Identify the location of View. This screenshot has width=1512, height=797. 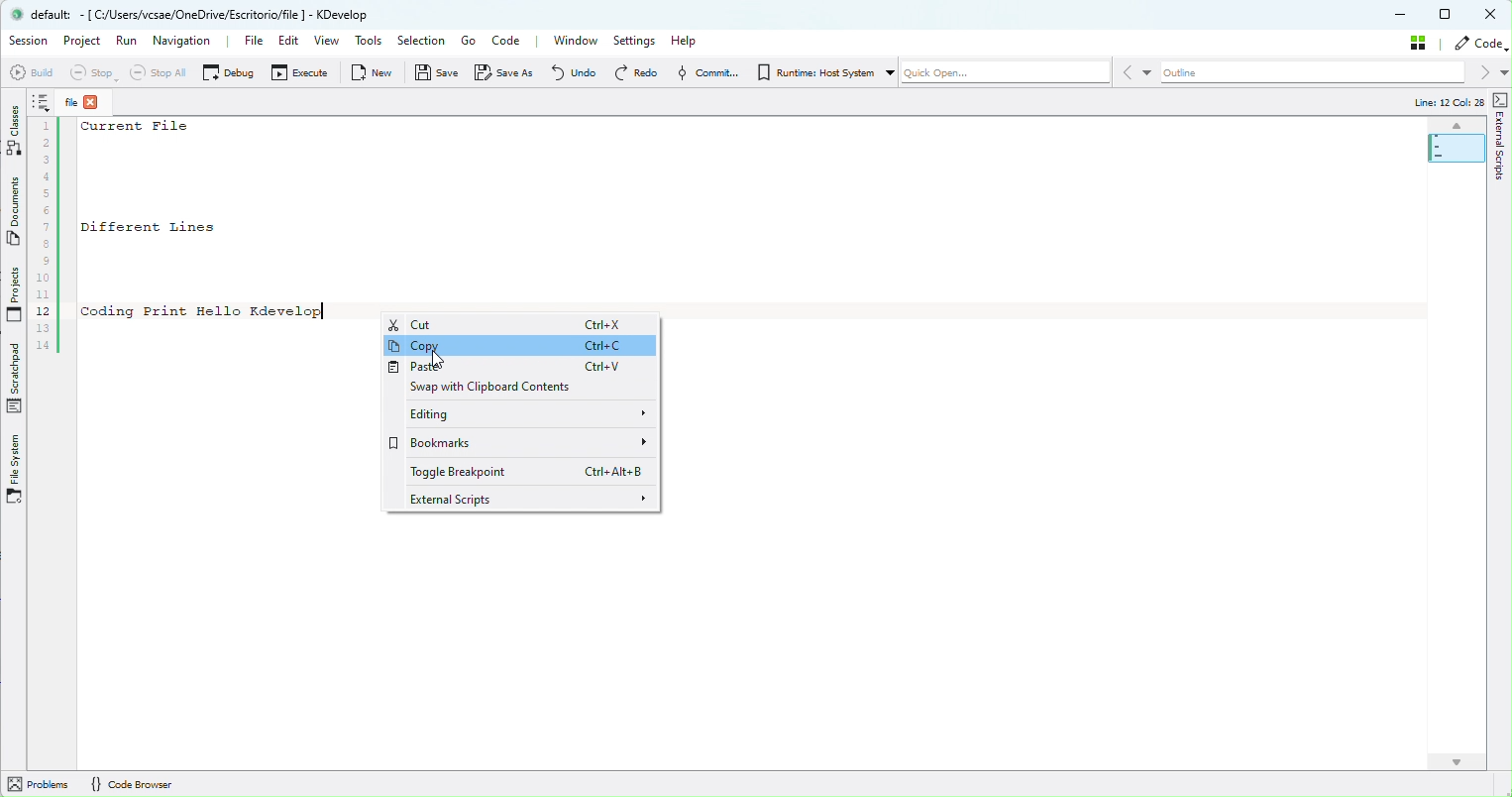
(326, 42).